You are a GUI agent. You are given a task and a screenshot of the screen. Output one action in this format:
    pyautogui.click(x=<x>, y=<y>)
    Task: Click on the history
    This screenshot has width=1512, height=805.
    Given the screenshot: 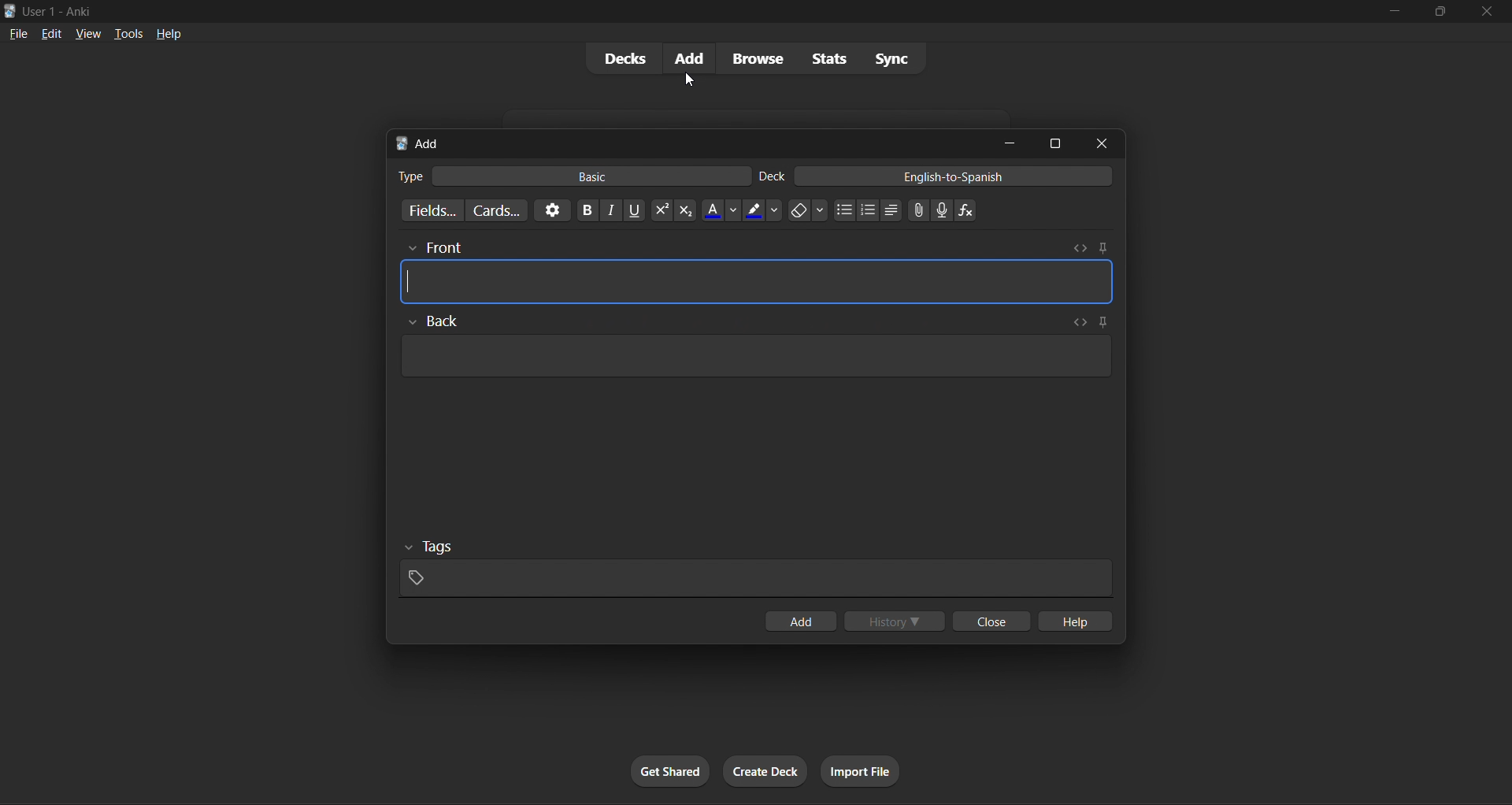 What is the action you would take?
    pyautogui.click(x=897, y=618)
    